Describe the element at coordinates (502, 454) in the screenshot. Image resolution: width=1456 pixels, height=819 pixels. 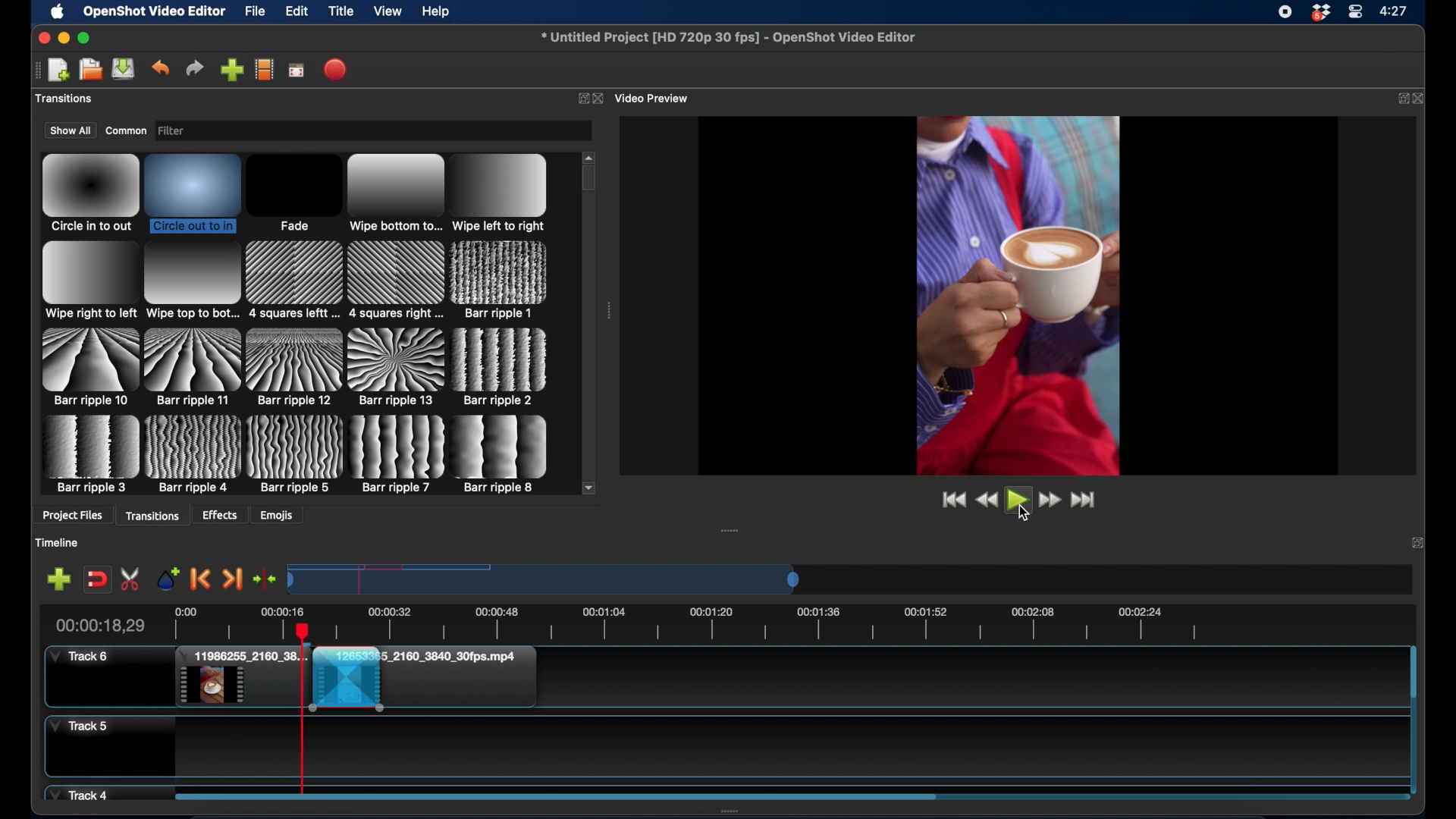
I see `transition` at that location.